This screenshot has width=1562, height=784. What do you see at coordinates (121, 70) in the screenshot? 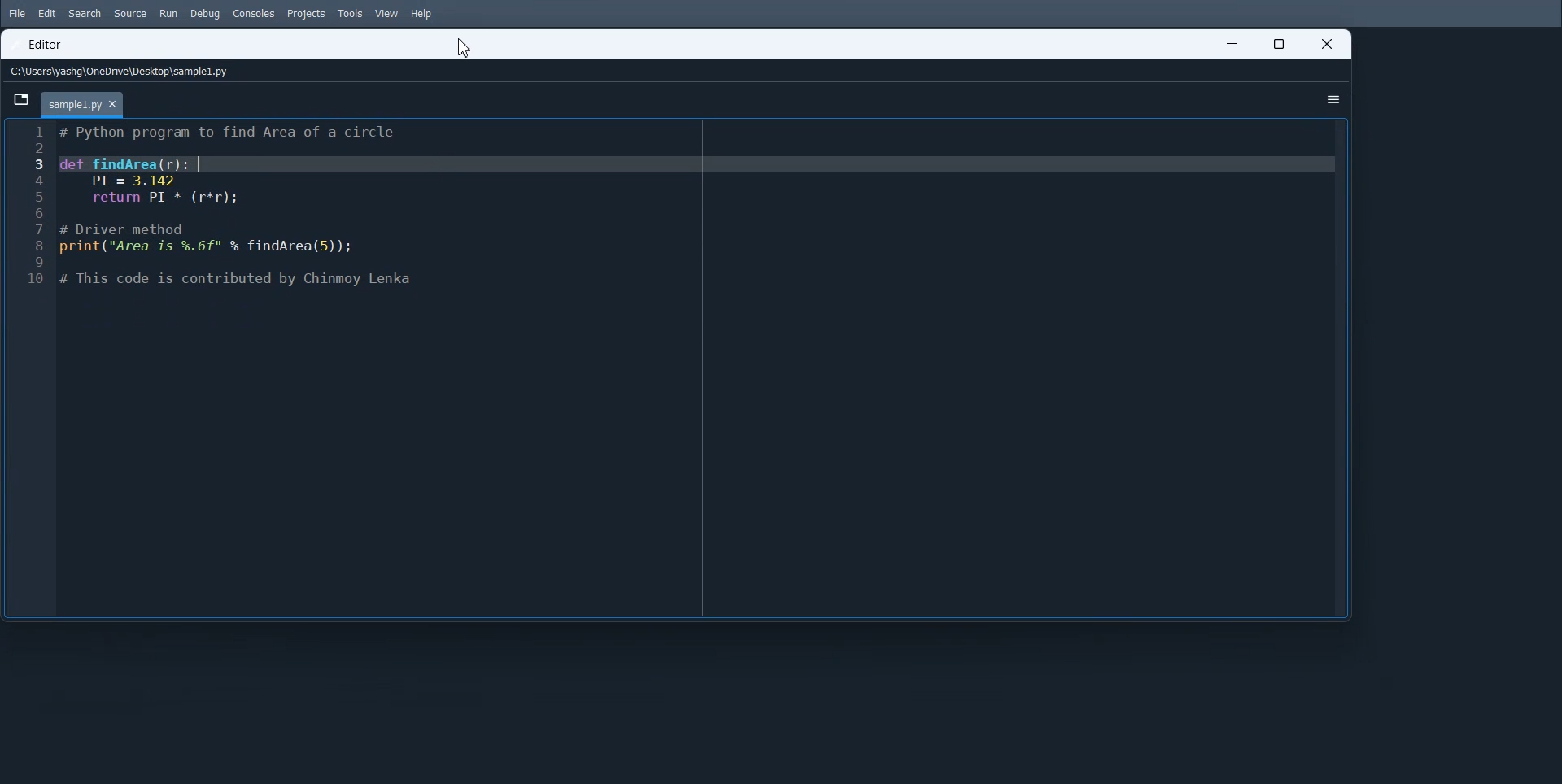
I see `File Path address` at bounding box center [121, 70].